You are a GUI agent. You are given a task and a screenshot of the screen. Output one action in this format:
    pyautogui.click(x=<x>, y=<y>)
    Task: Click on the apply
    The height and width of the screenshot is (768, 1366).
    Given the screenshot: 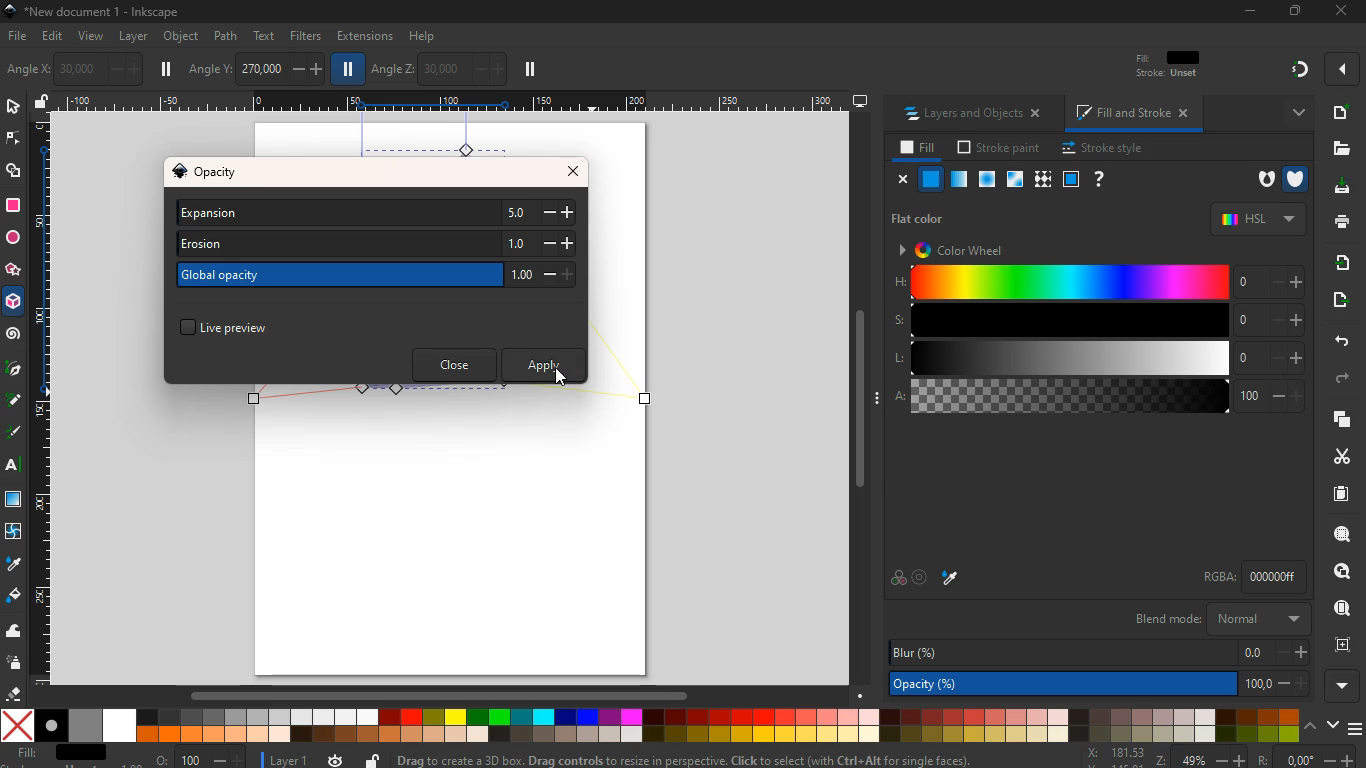 What is the action you would take?
    pyautogui.click(x=545, y=365)
    